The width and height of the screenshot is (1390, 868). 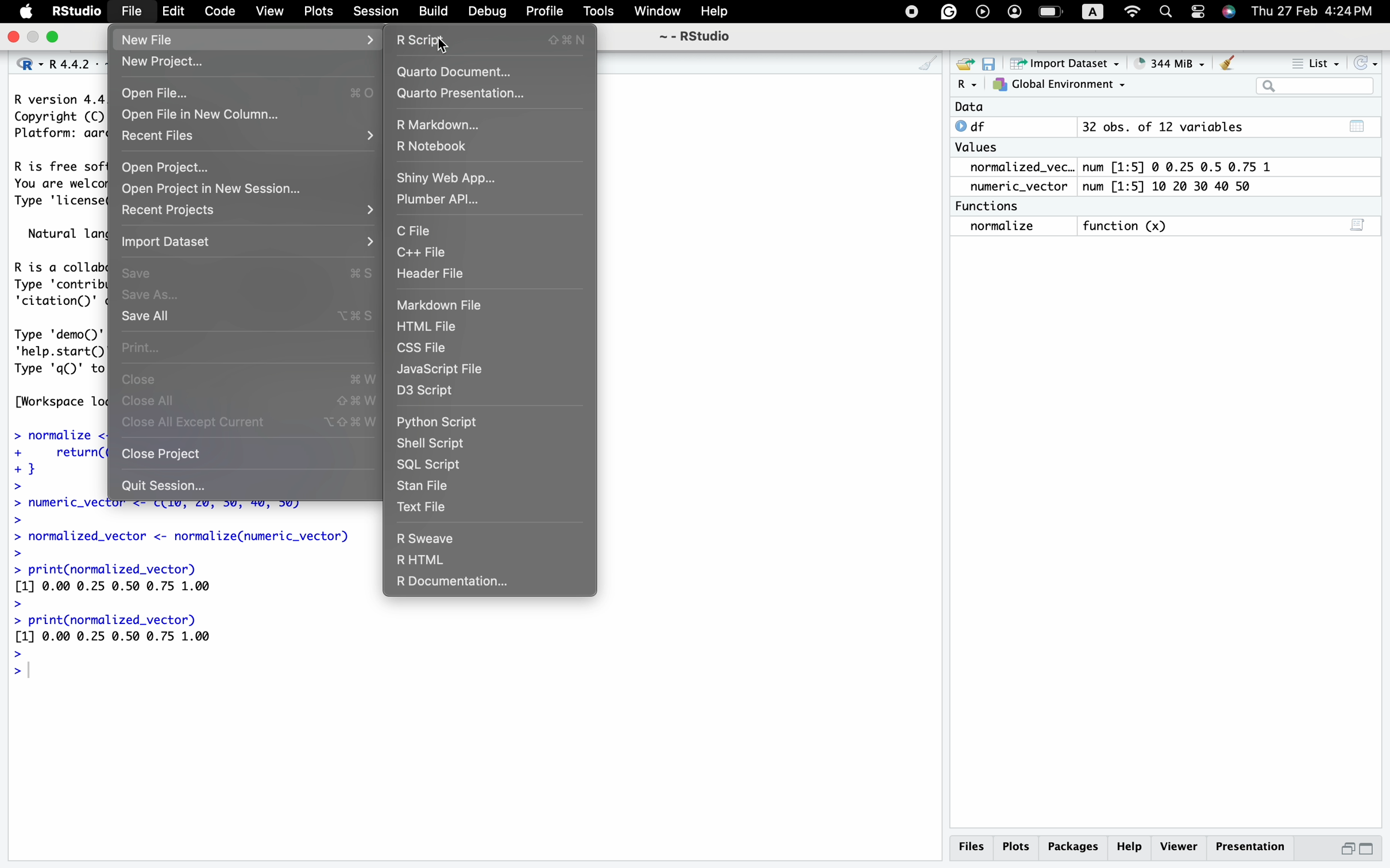 I want to click on R HTML, so click(x=423, y=561).